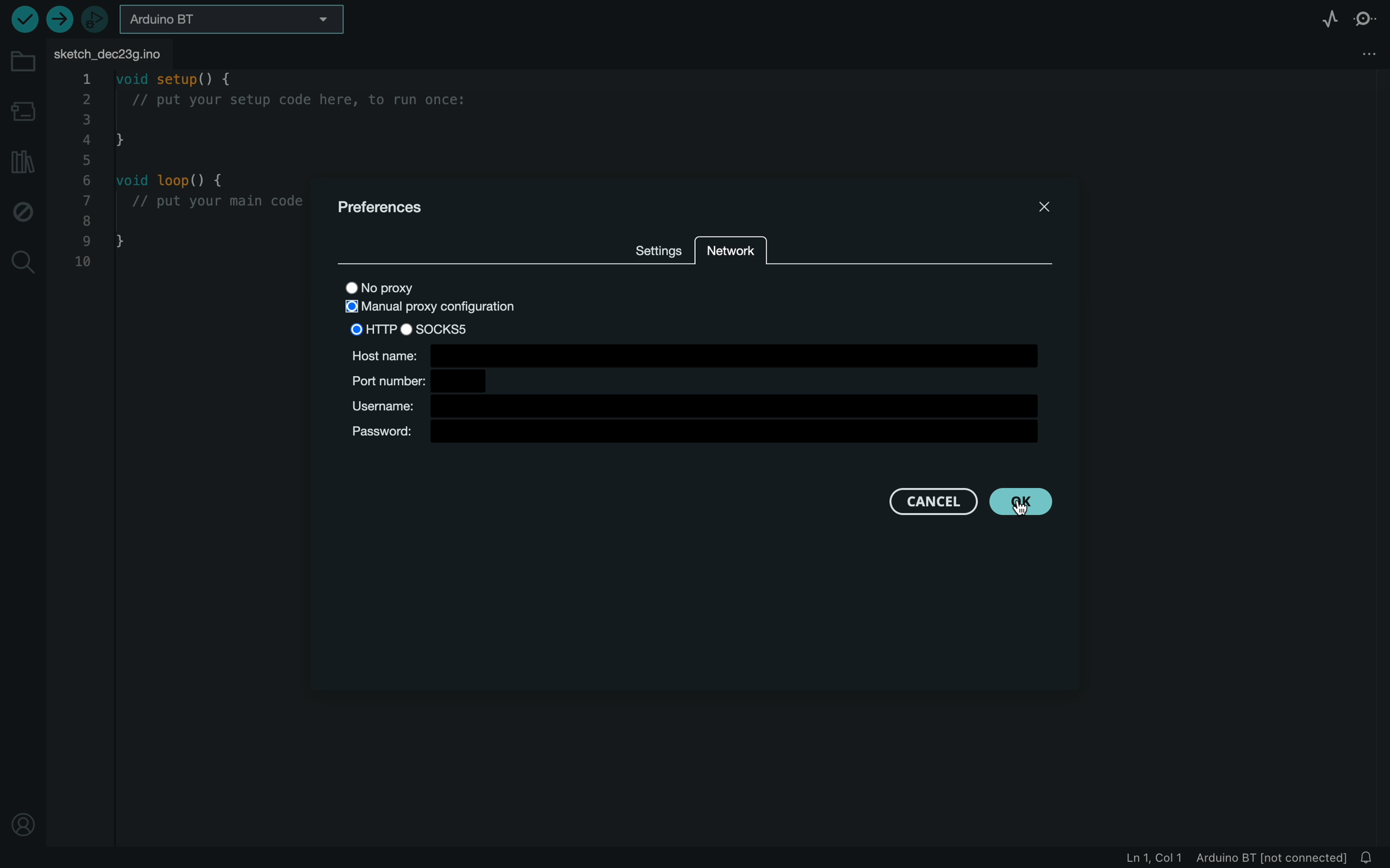 Image resolution: width=1390 pixels, height=868 pixels. What do you see at coordinates (20, 162) in the screenshot?
I see `library manager` at bounding box center [20, 162].